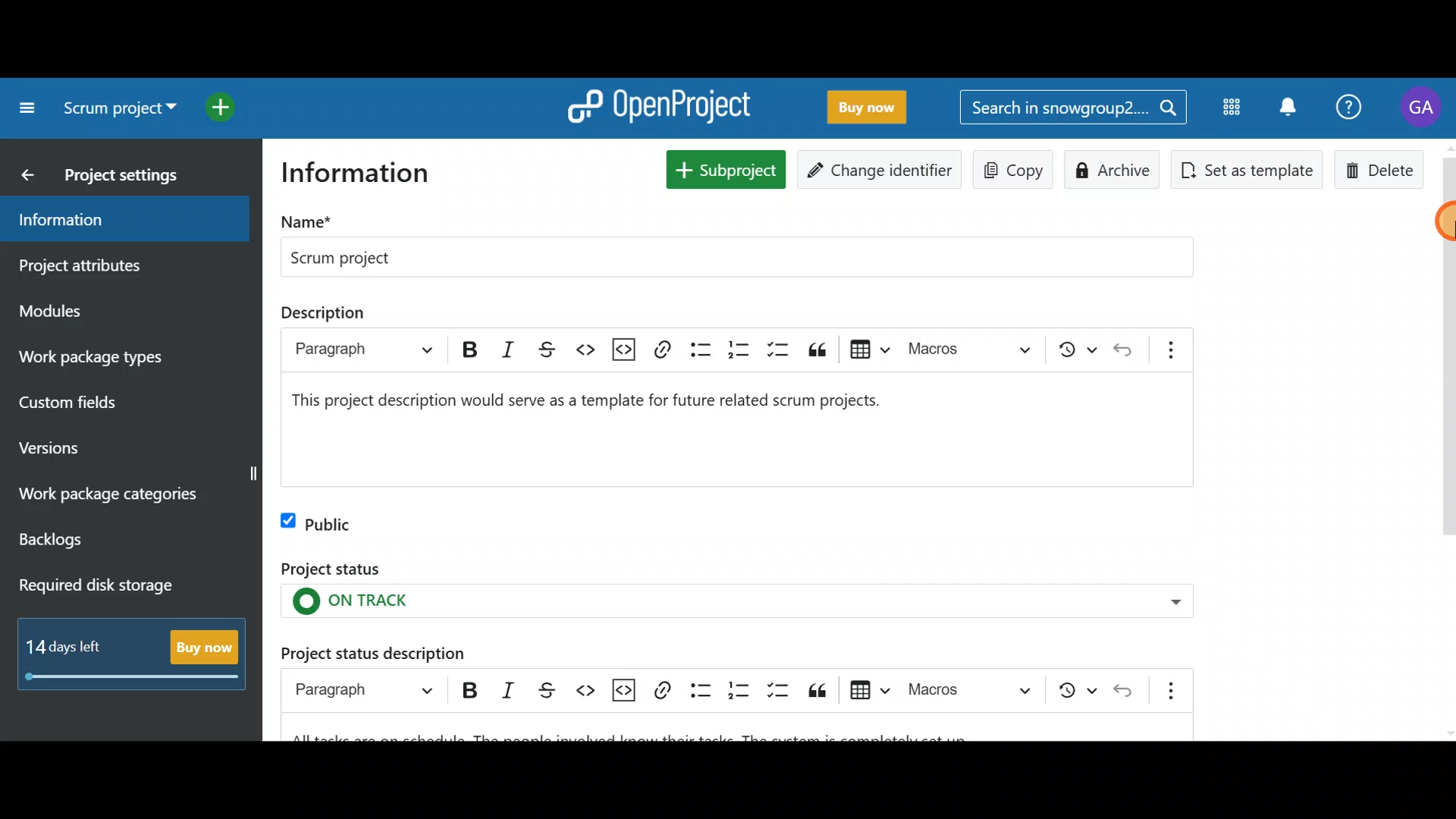 The height and width of the screenshot is (819, 1456). Describe the element at coordinates (733, 244) in the screenshot. I see `Project name` at that location.